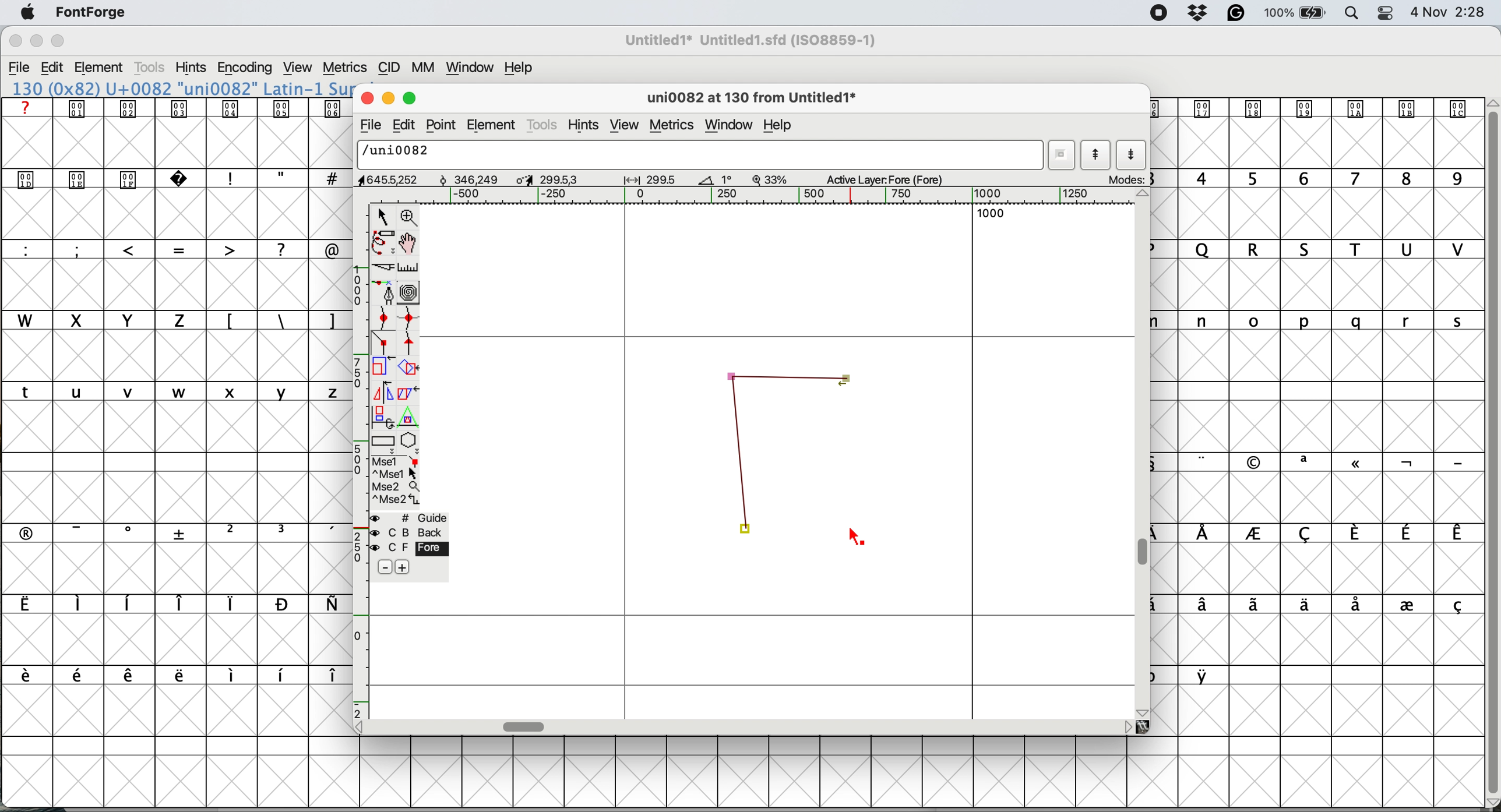 This screenshot has height=812, width=1501. What do you see at coordinates (383, 317) in the screenshot?
I see `add a curve point` at bounding box center [383, 317].